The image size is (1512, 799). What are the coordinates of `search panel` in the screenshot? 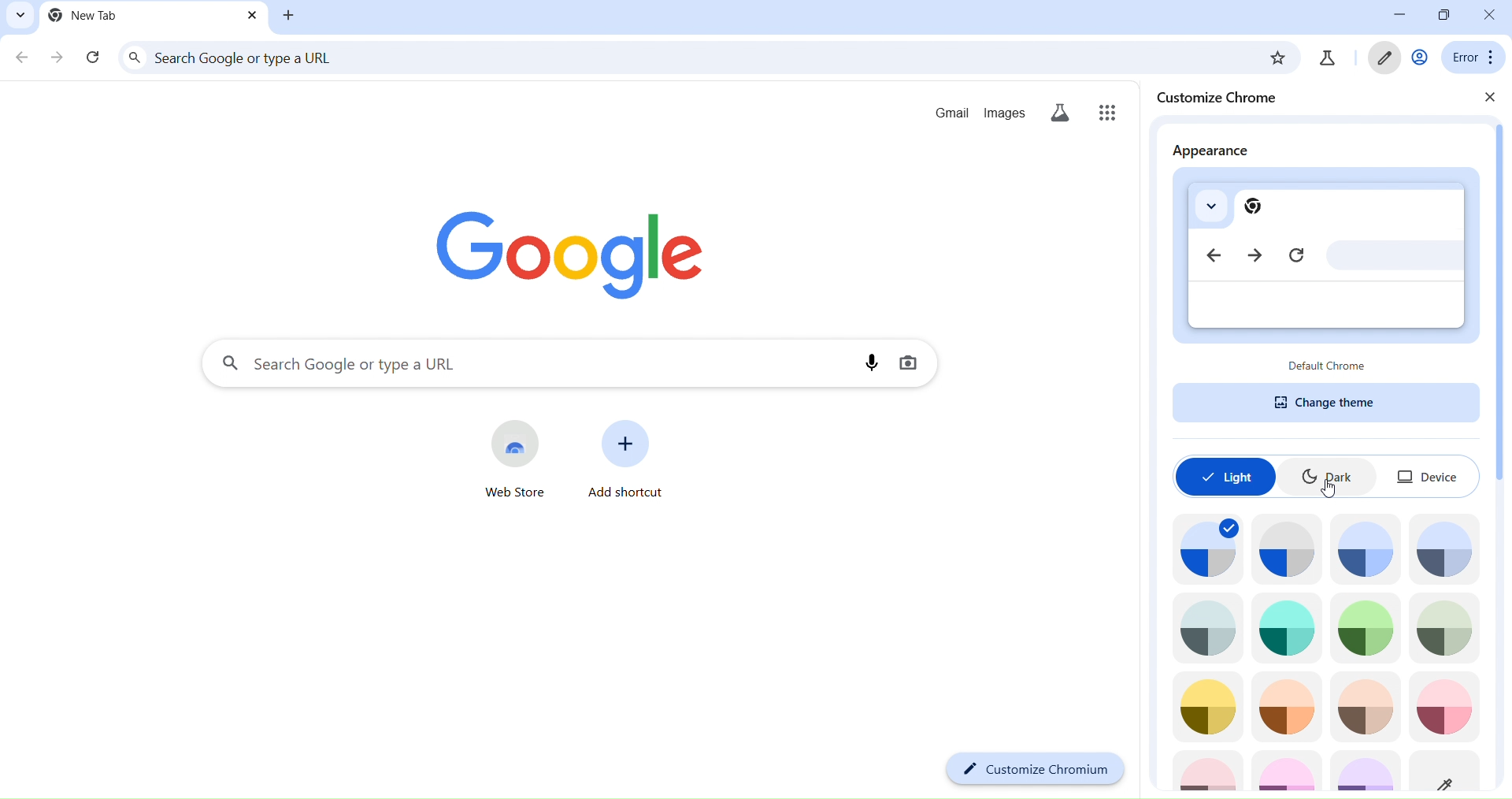 It's located at (691, 58).